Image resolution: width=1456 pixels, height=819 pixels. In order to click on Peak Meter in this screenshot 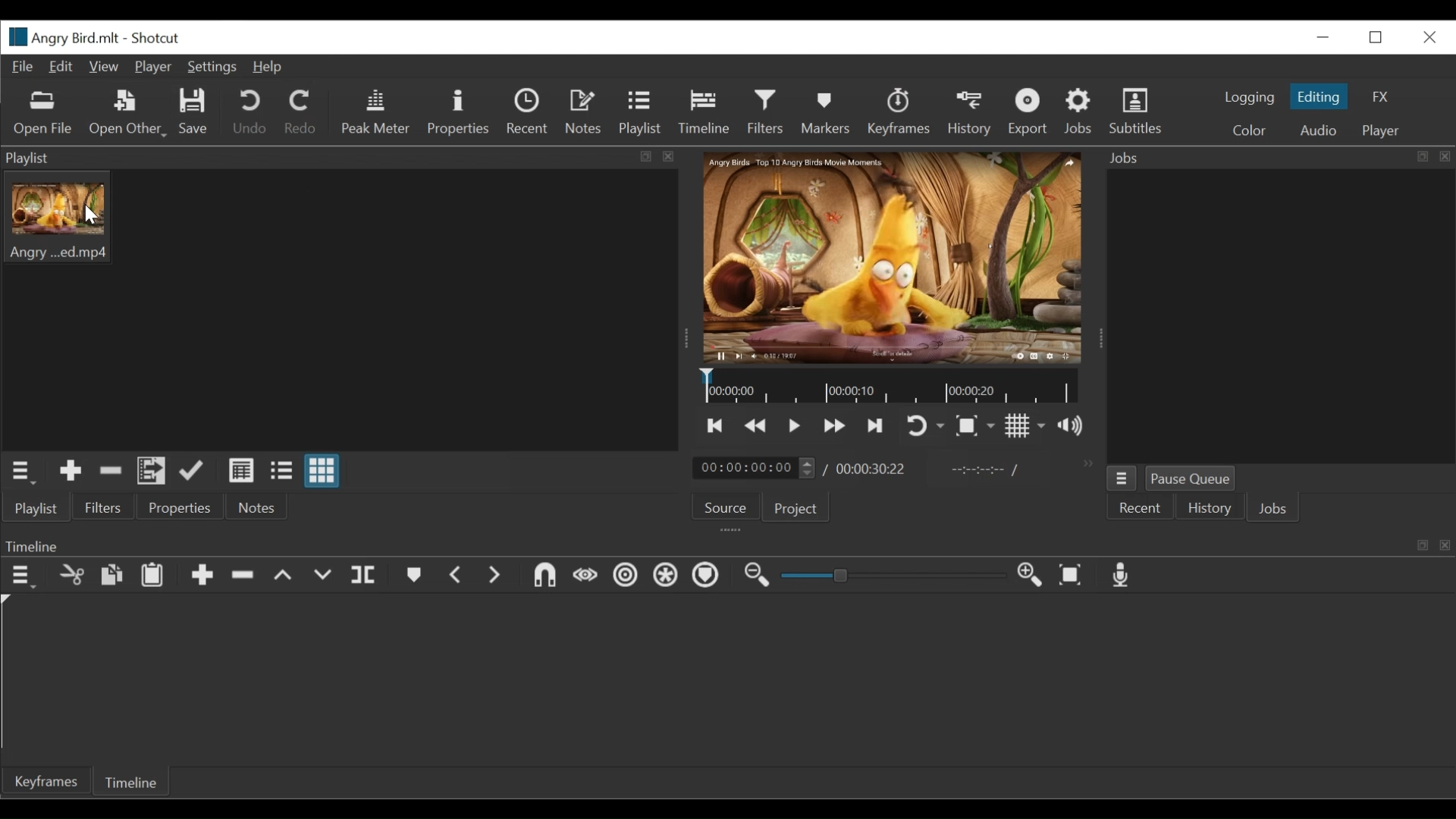, I will do `click(377, 111)`.